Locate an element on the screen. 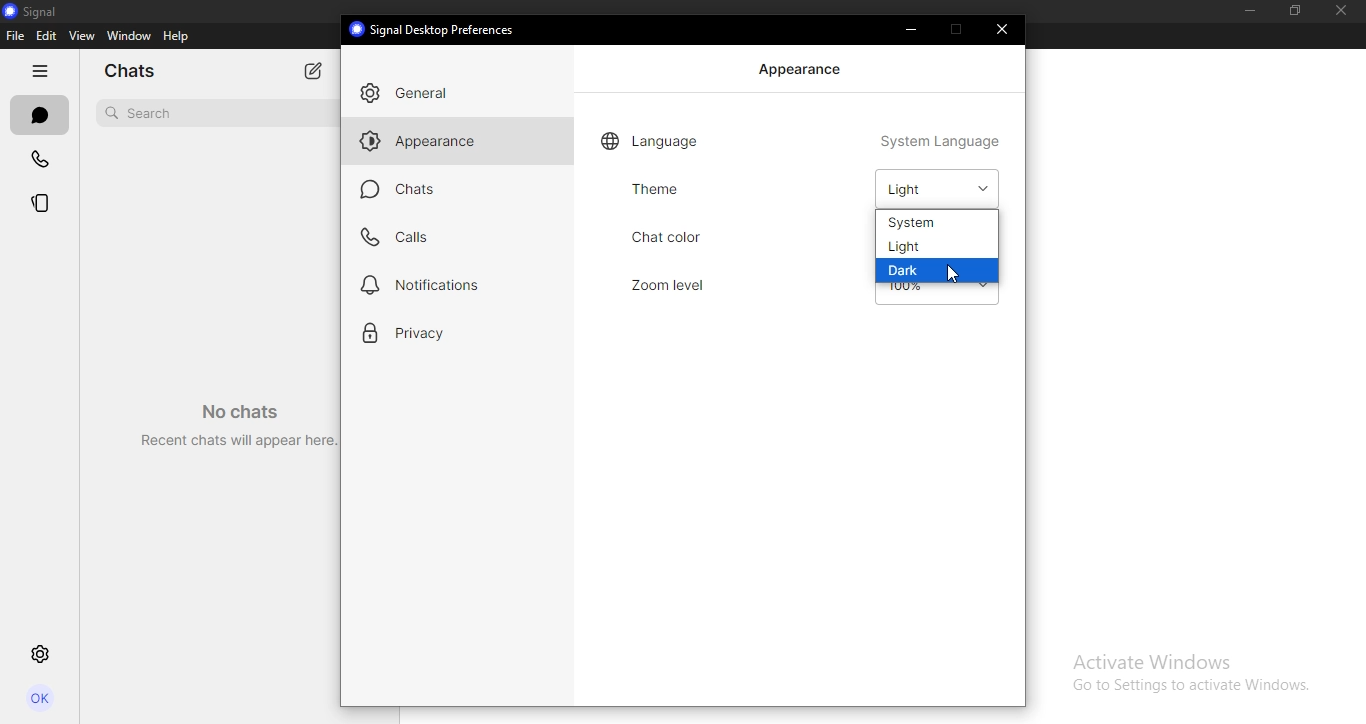  100% is located at coordinates (902, 289).